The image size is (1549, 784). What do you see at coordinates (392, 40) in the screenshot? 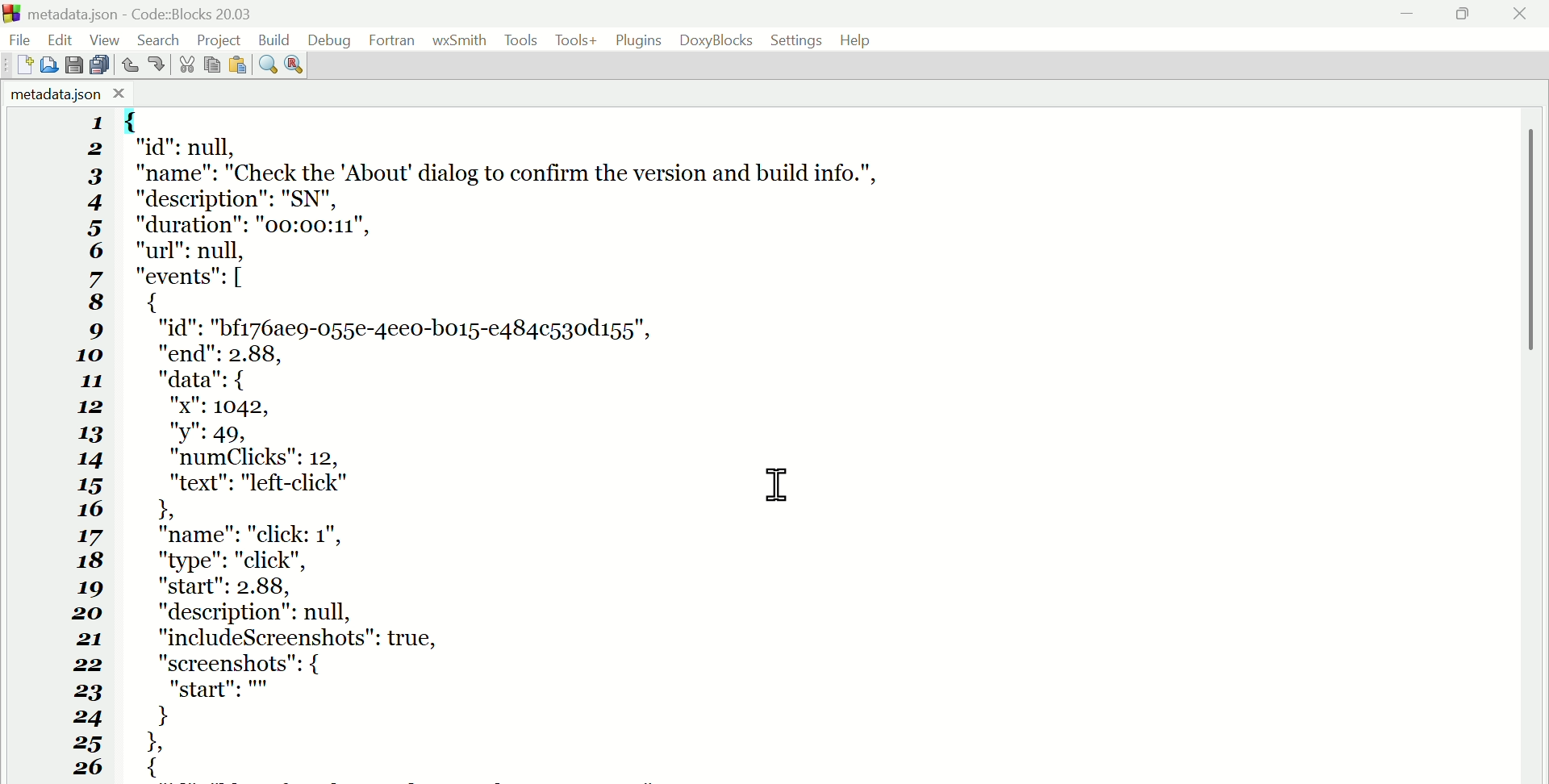
I see `Fortran` at bounding box center [392, 40].